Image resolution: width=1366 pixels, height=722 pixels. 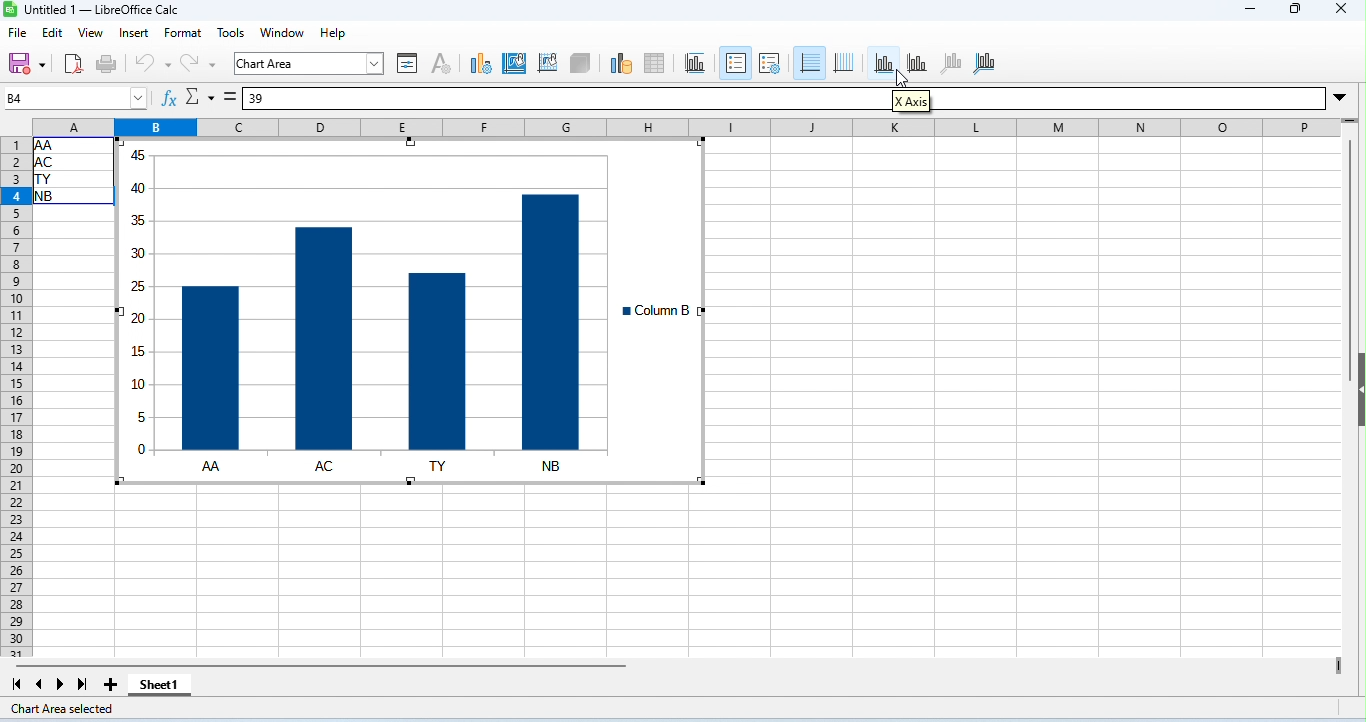 What do you see at coordinates (1247, 10) in the screenshot?
I see `minimize` at bounding box center [1247, 10].